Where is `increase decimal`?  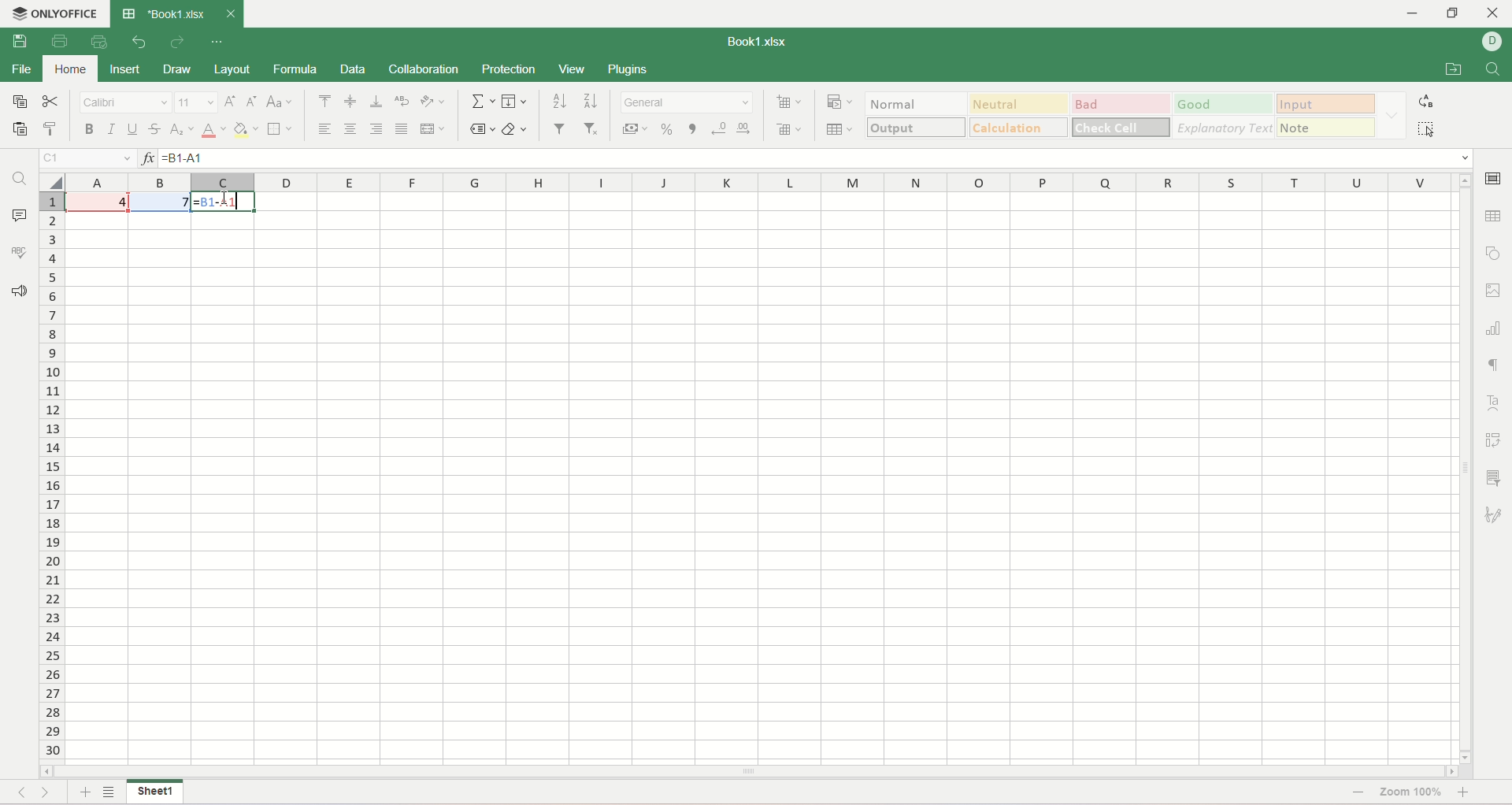
increase decimal is located at coordinates (747, 128).